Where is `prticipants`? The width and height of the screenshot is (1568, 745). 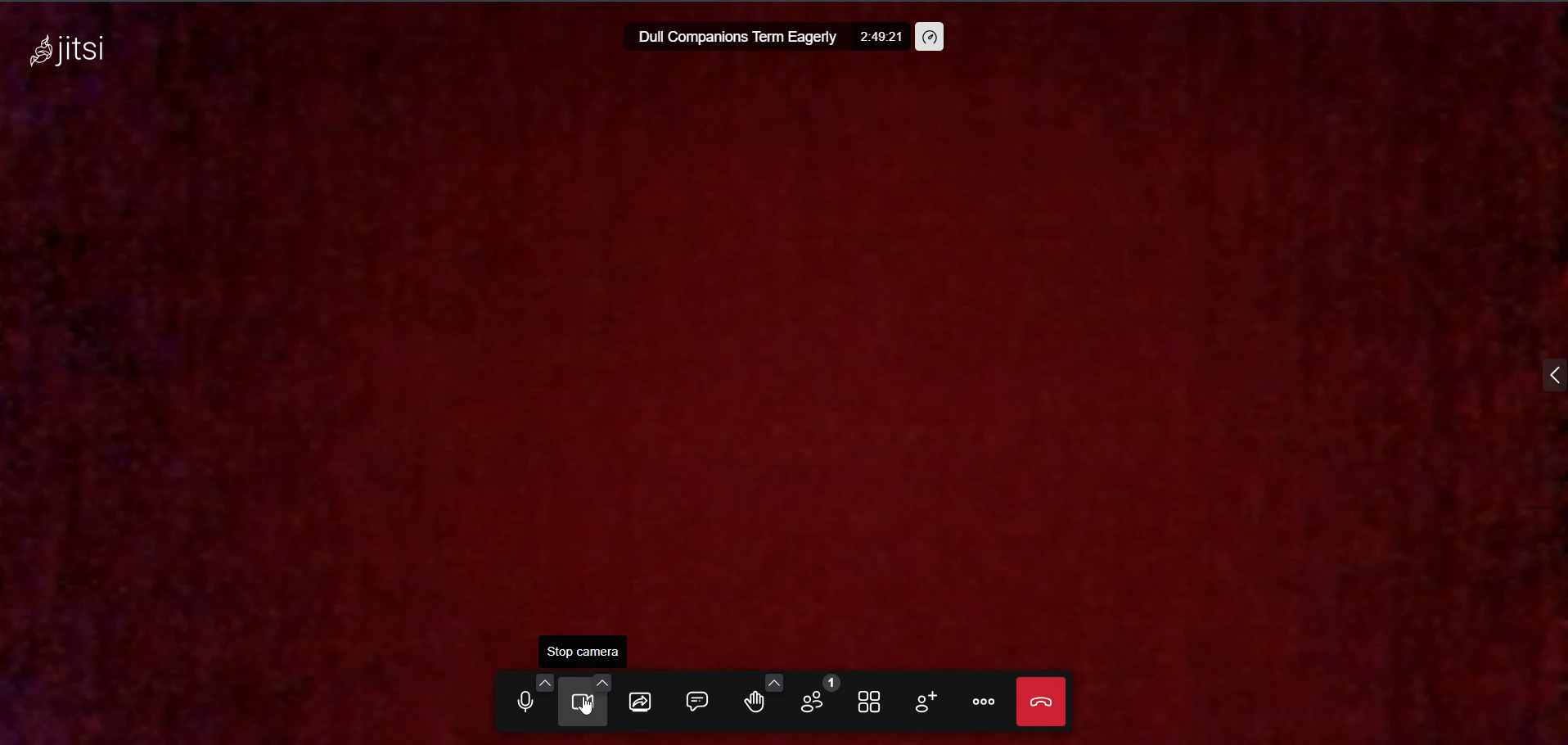 prticipants is located at coordinates (811, 697).